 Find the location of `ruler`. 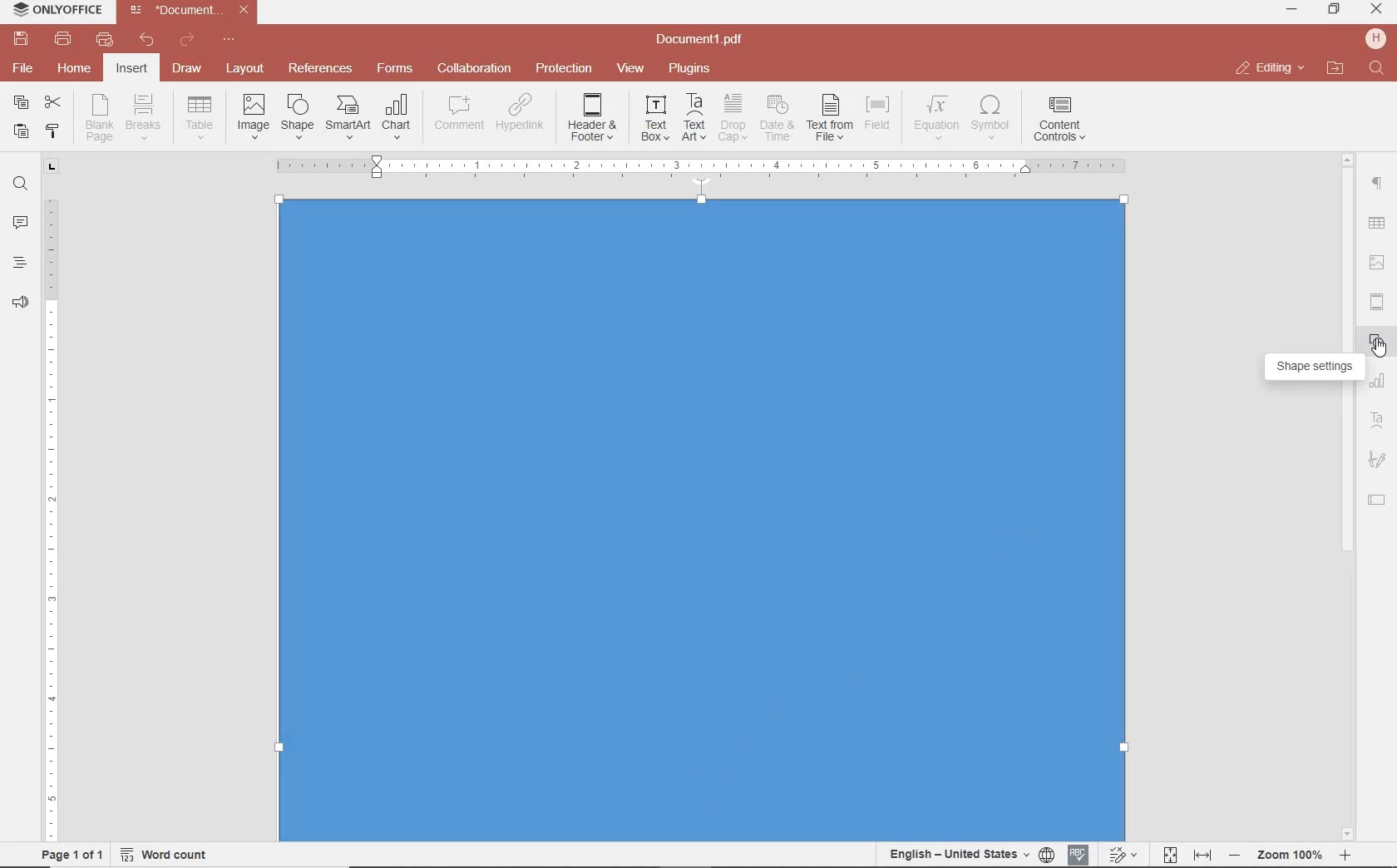

ruler is located at coordinates (52, 508).